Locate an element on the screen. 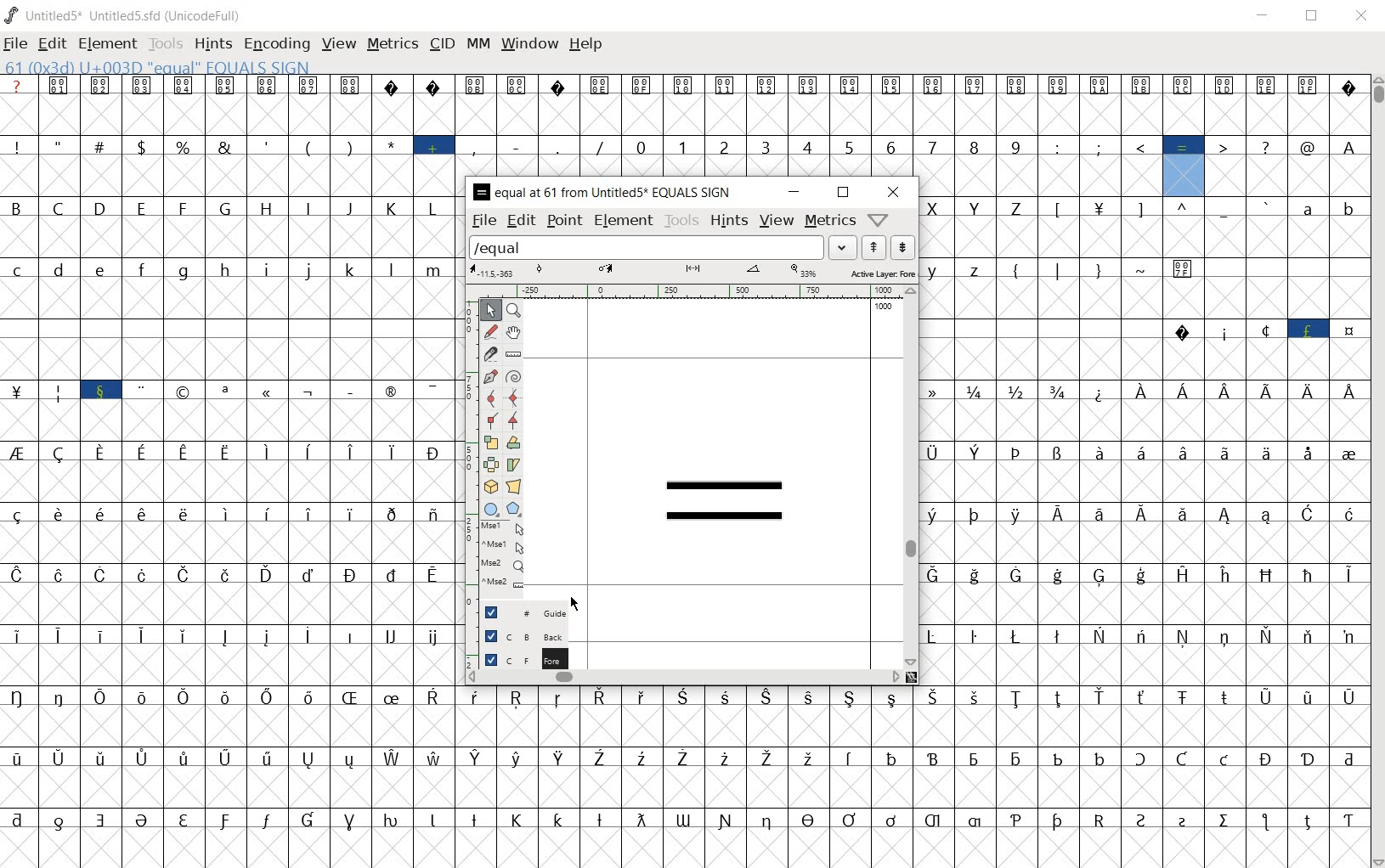 The height and width of the screenshot is (868, 1385). view is located at coordinates (337, 45).